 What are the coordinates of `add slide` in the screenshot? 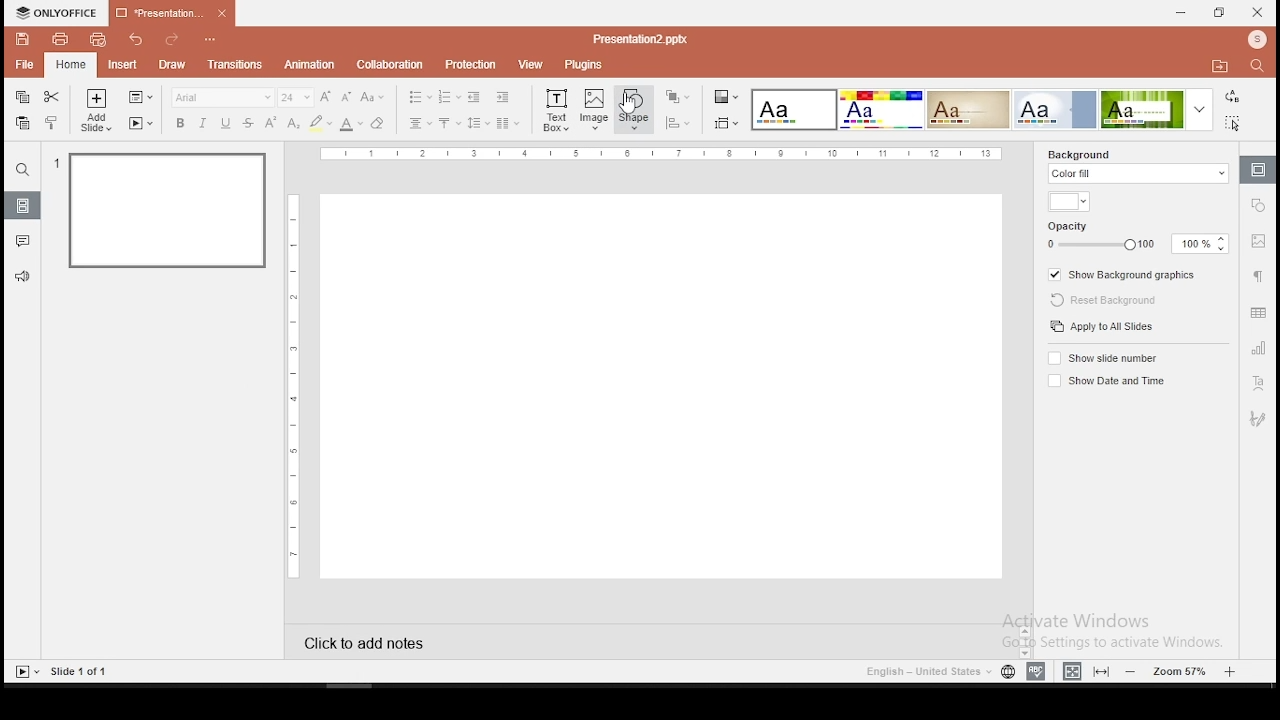 It's located at (96, 110).